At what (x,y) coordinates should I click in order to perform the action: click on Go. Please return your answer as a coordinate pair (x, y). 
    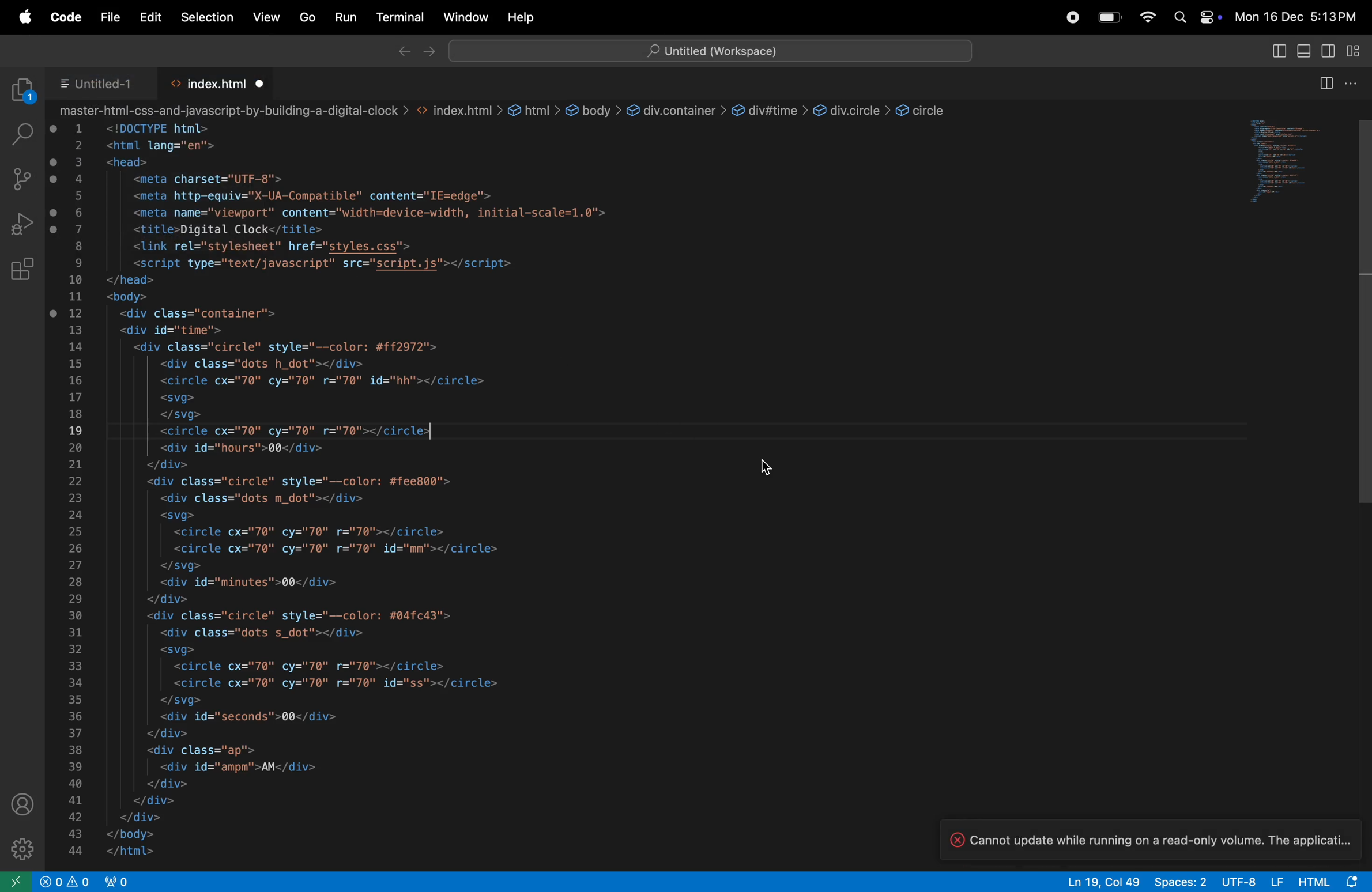
    Looking at the image, I should click on (307, 16).